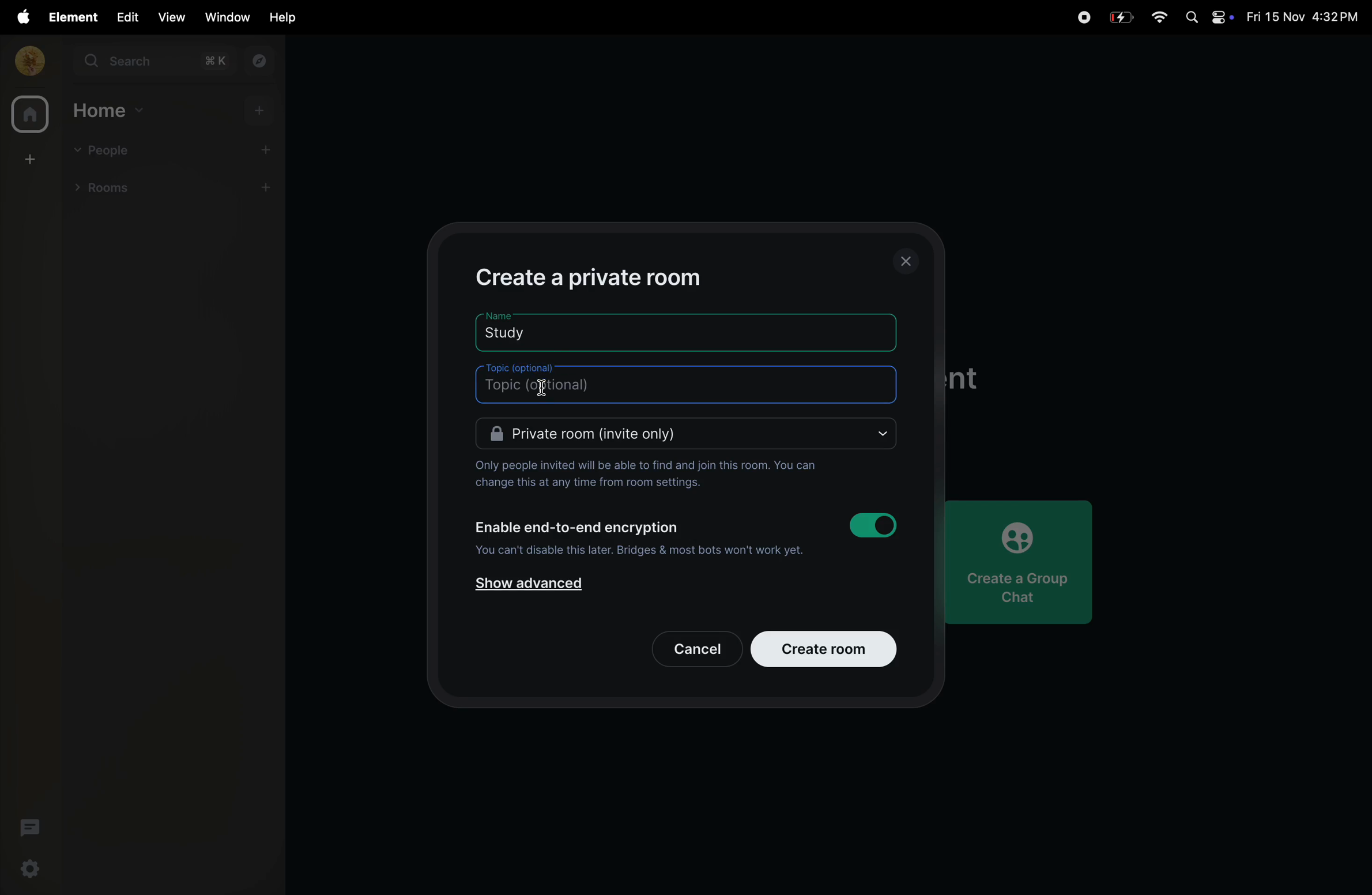 Image resolution: width=1372 pixels, height=895 pixels. What do you see at coordinates (1159, 18) in the screenshot?
I see `wifi` at bounding box center [1159, 18].